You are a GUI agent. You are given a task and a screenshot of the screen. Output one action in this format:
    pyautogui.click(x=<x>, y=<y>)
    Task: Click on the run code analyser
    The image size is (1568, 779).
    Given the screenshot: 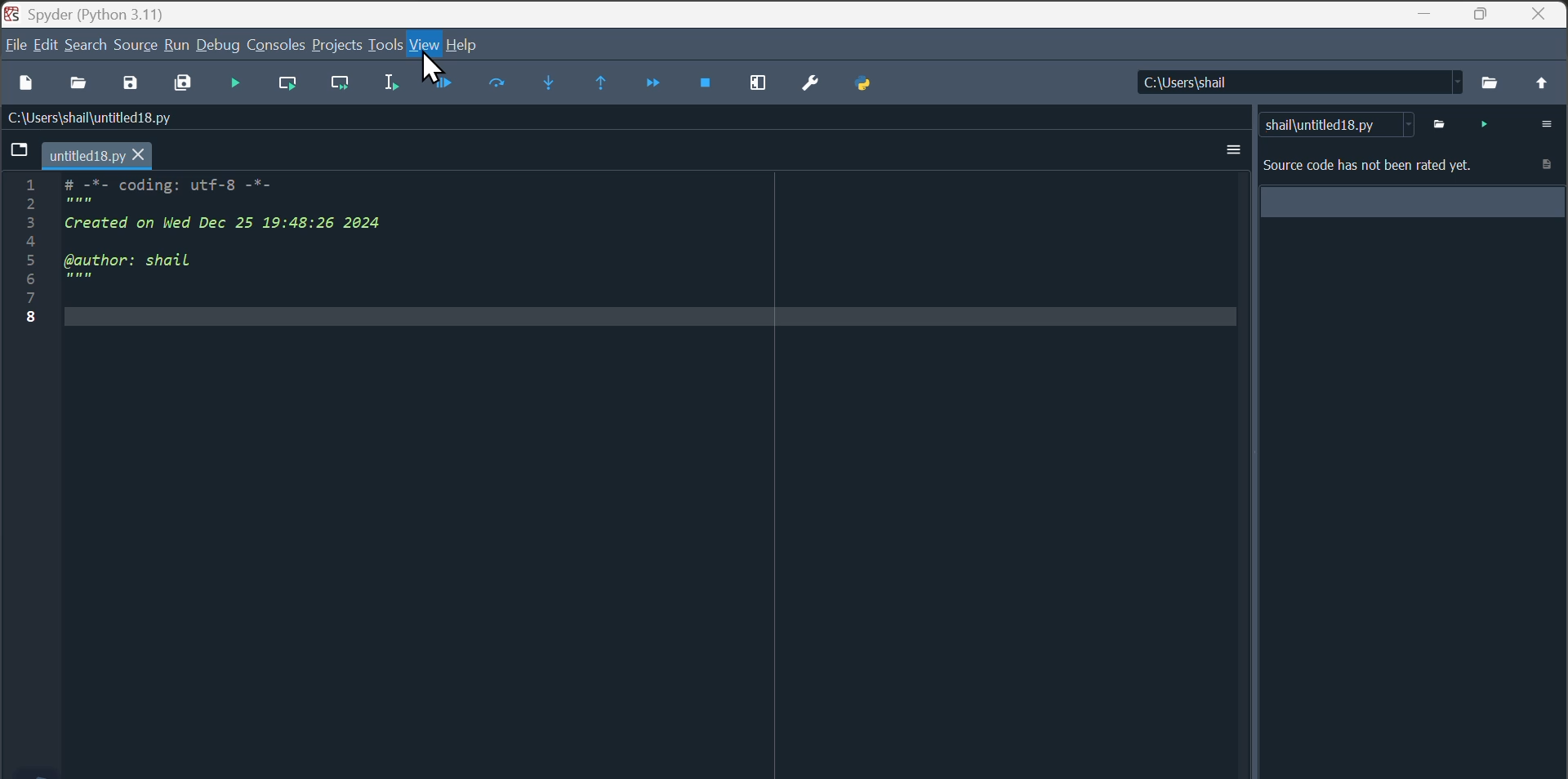 What is the action you would take?
    pyautogui.click(x=1483, y=123)
    